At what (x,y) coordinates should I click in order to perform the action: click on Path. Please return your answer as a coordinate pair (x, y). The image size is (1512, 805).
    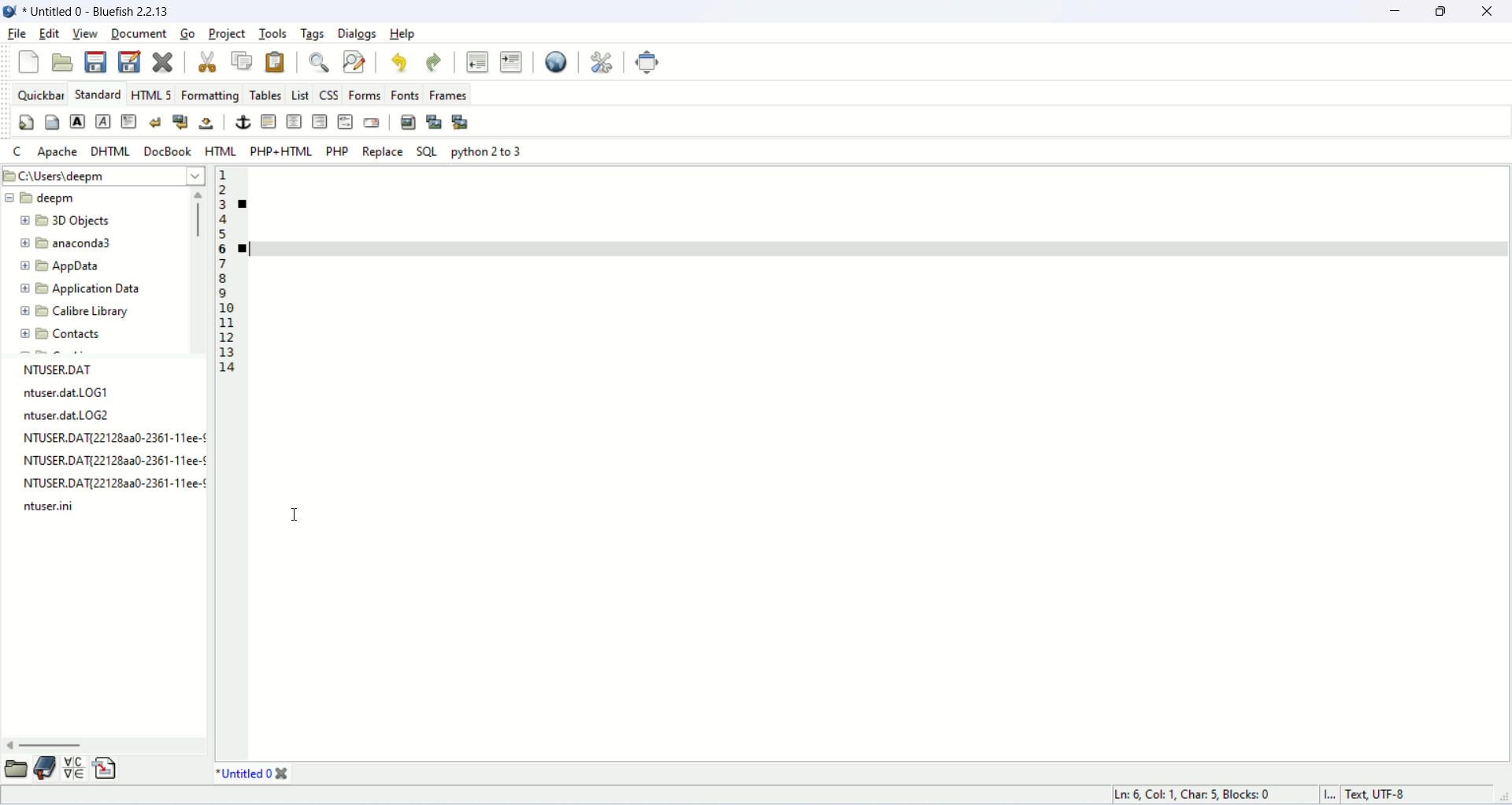
    Looking at the image, I should click on (105, 175).